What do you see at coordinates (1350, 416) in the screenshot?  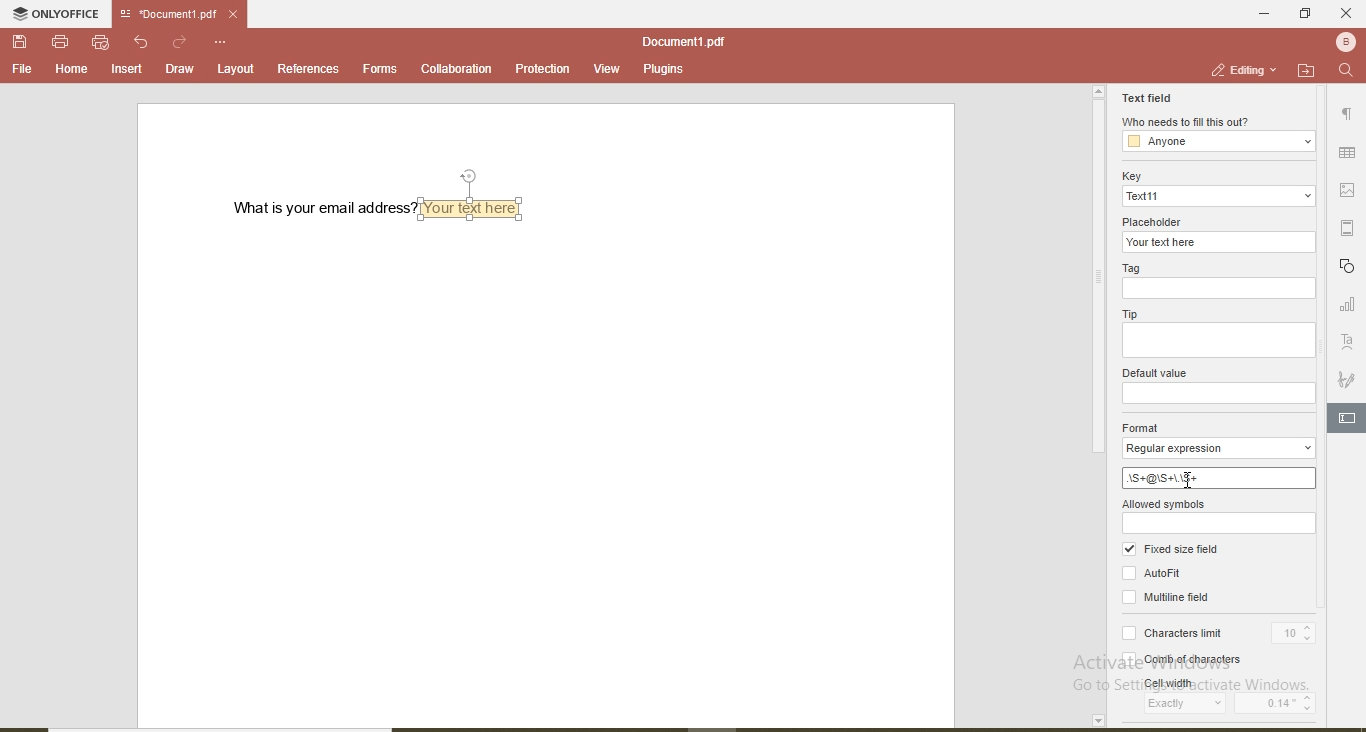 I see `edit text` at bounding box center [1350, 416].